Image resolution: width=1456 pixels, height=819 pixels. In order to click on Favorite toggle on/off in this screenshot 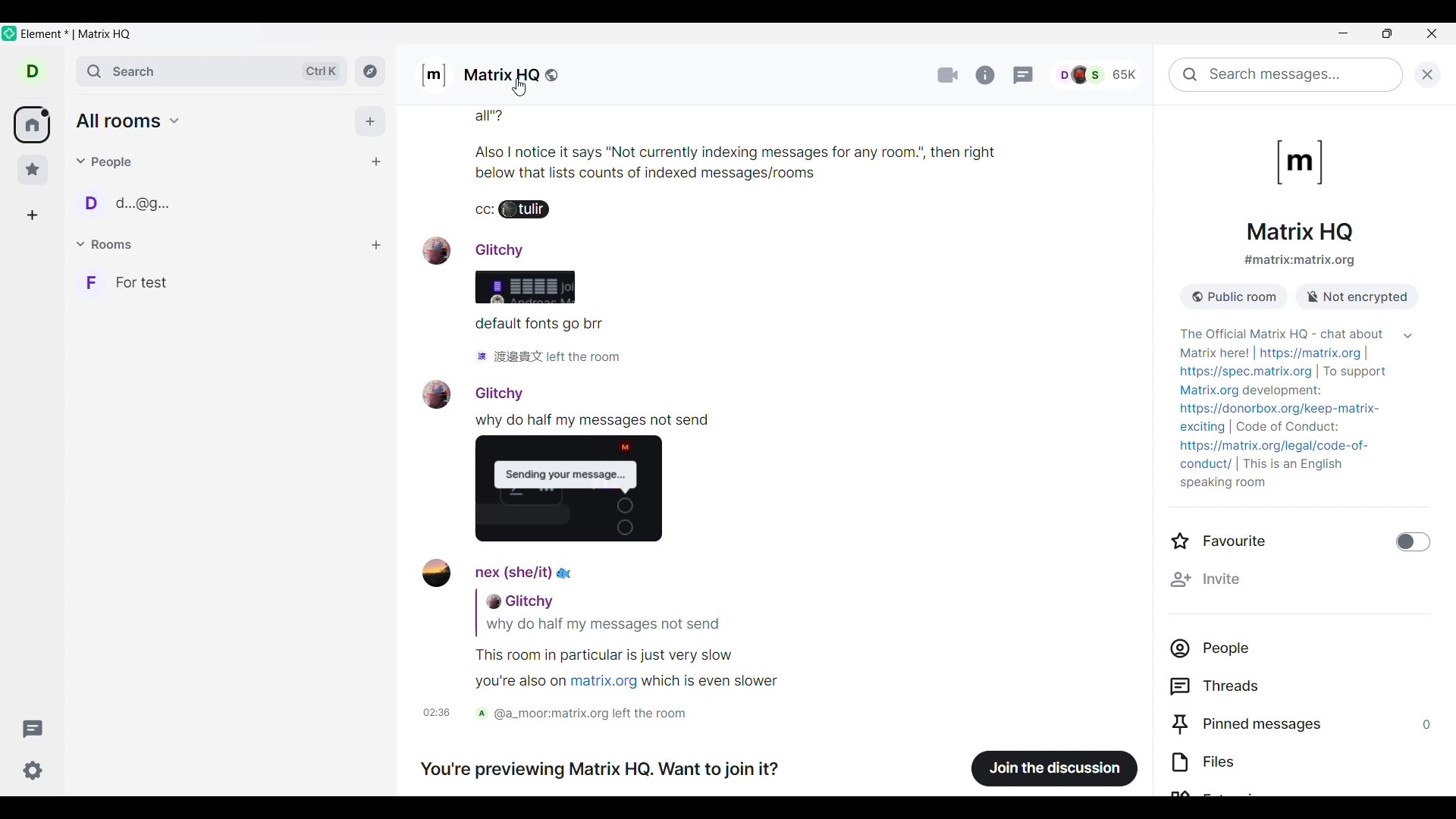, I will do `click(1301, 541)`.